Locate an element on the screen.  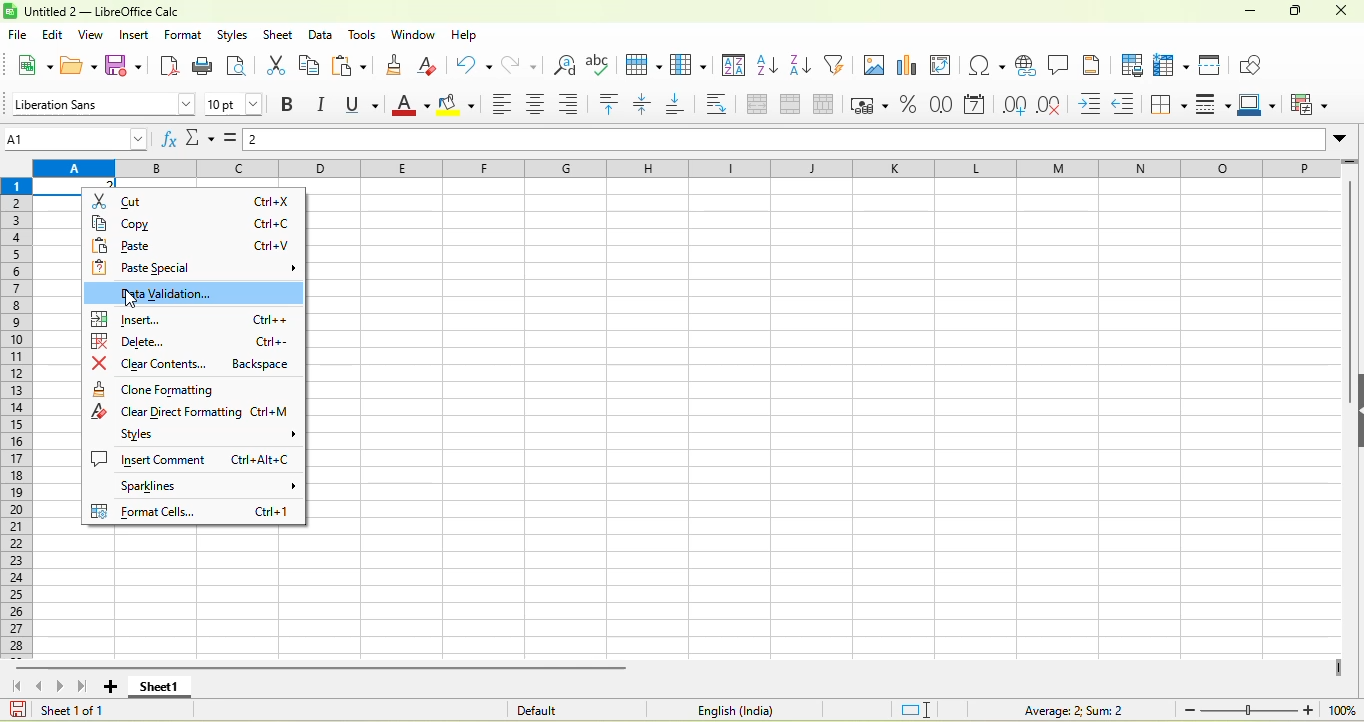
headers and footers is located at coordinates (1095, 64).